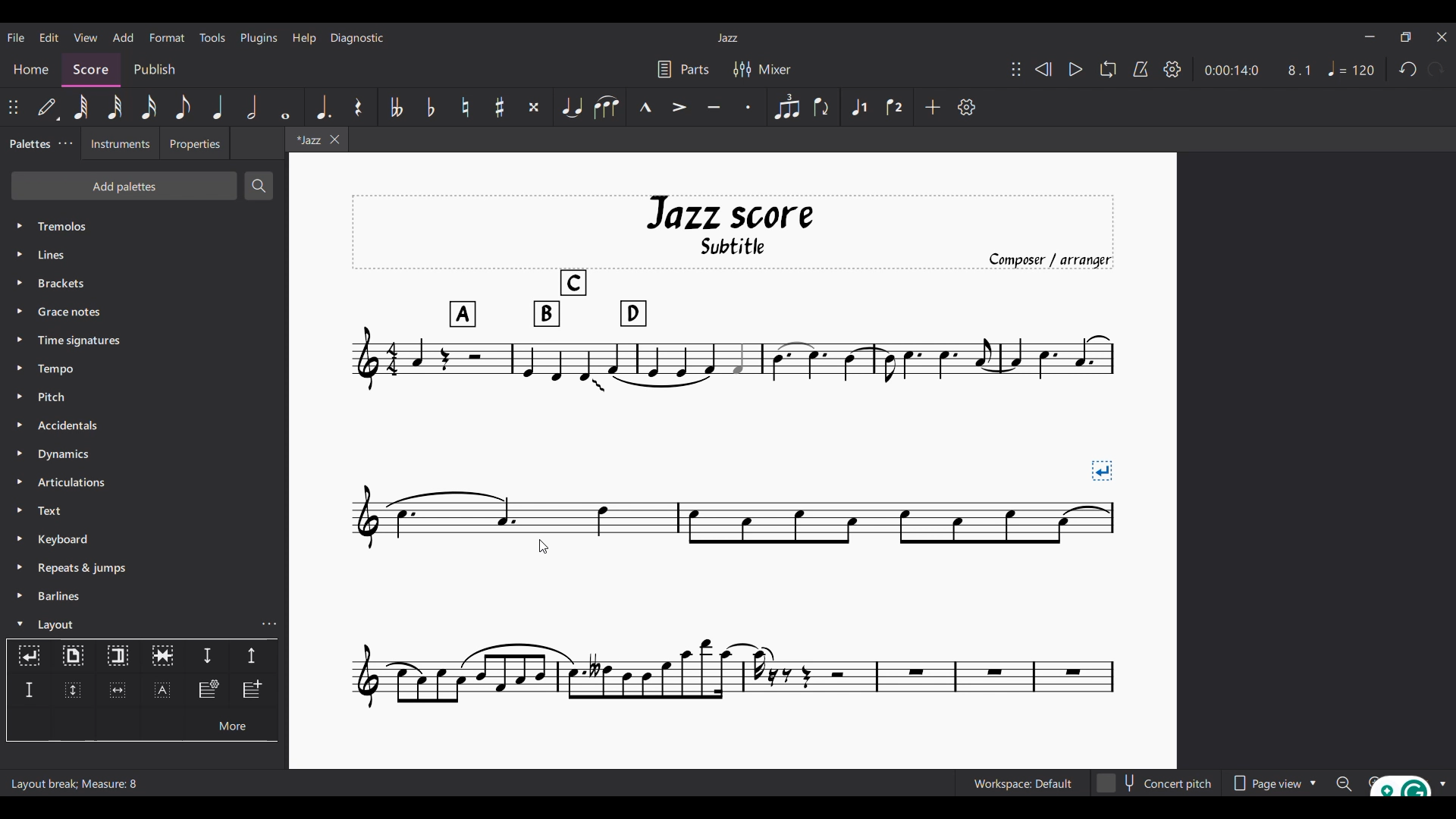  I want to click on More, so click(231, 724).